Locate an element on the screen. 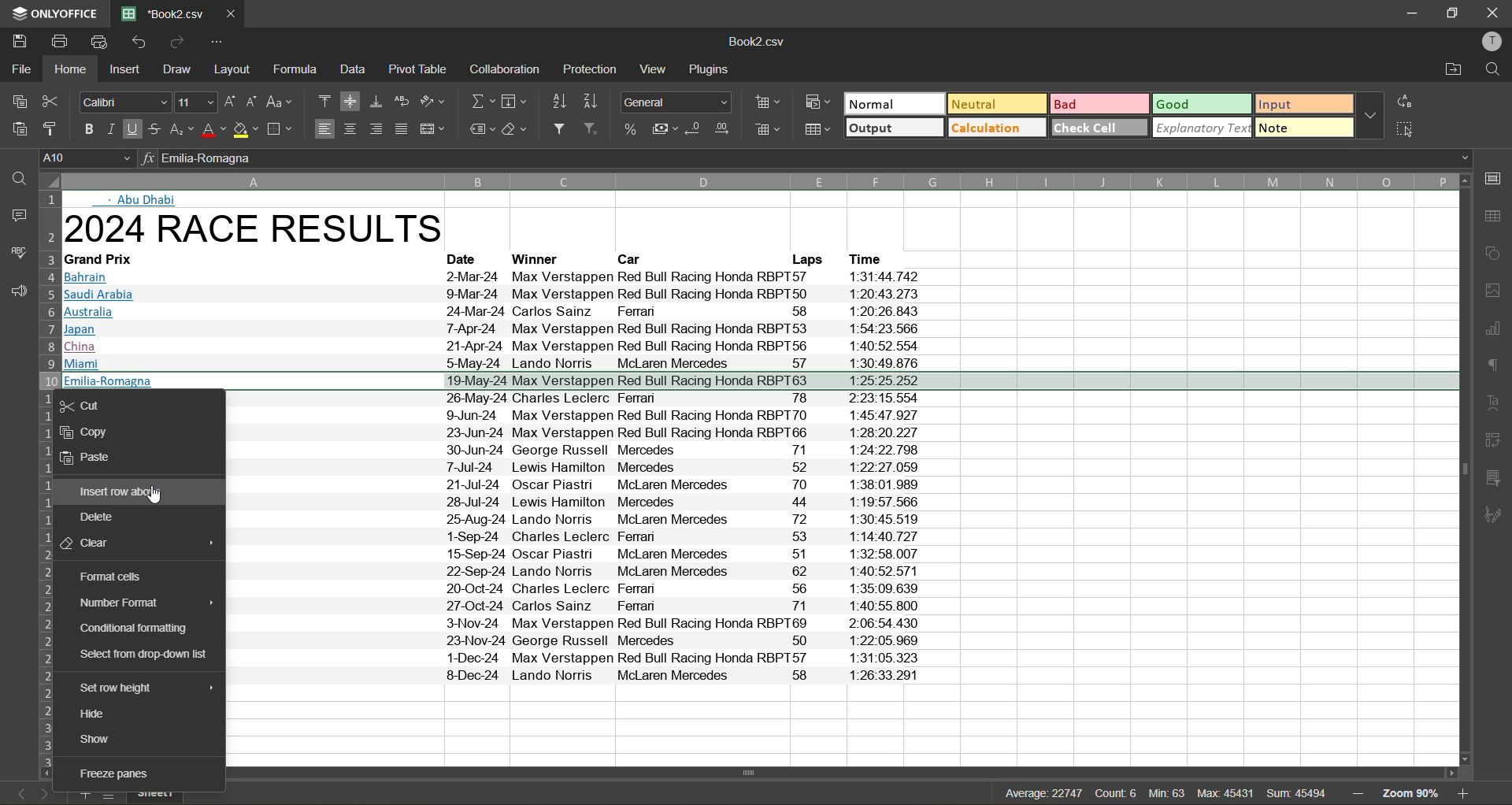 The image size is (1512, 805). output is located at coordinates (893, 128).